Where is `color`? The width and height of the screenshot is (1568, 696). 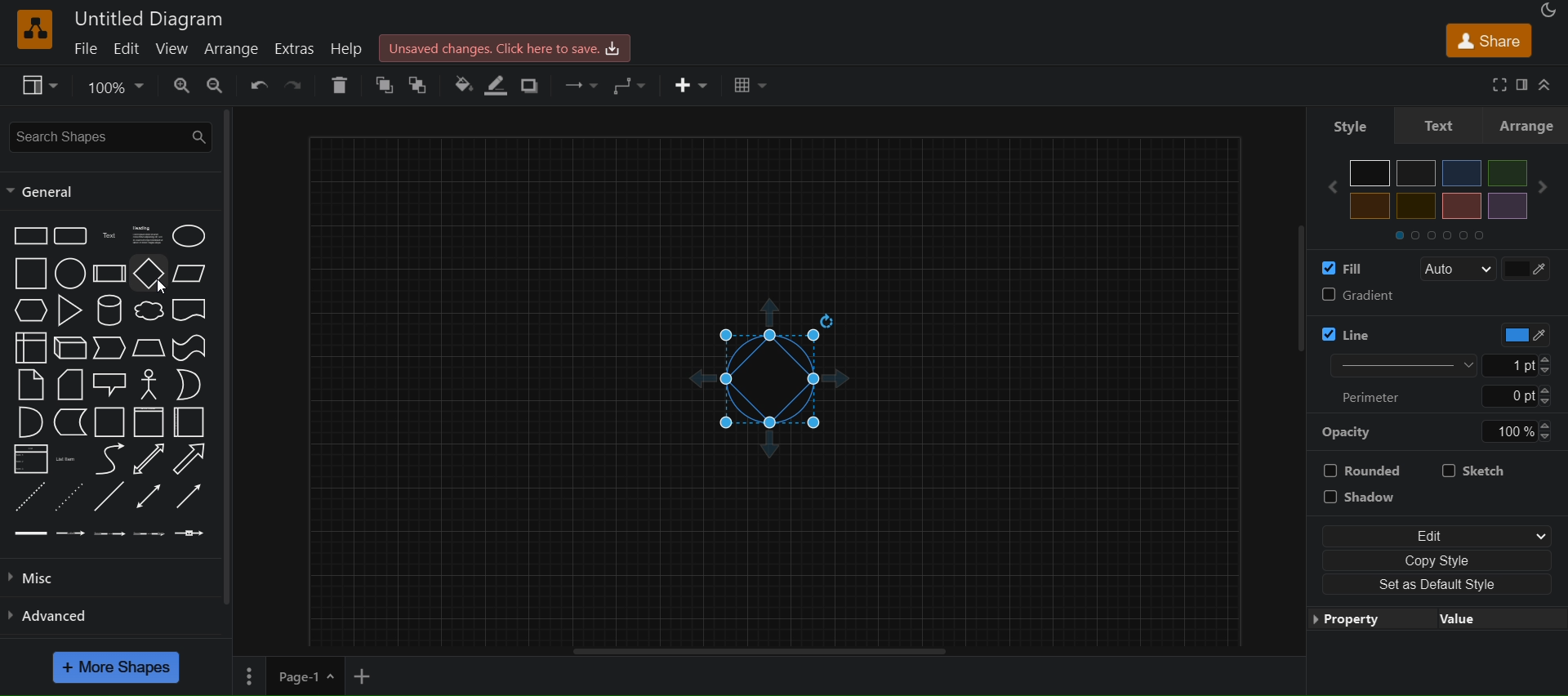
color is located at coordinates (1517, 334).